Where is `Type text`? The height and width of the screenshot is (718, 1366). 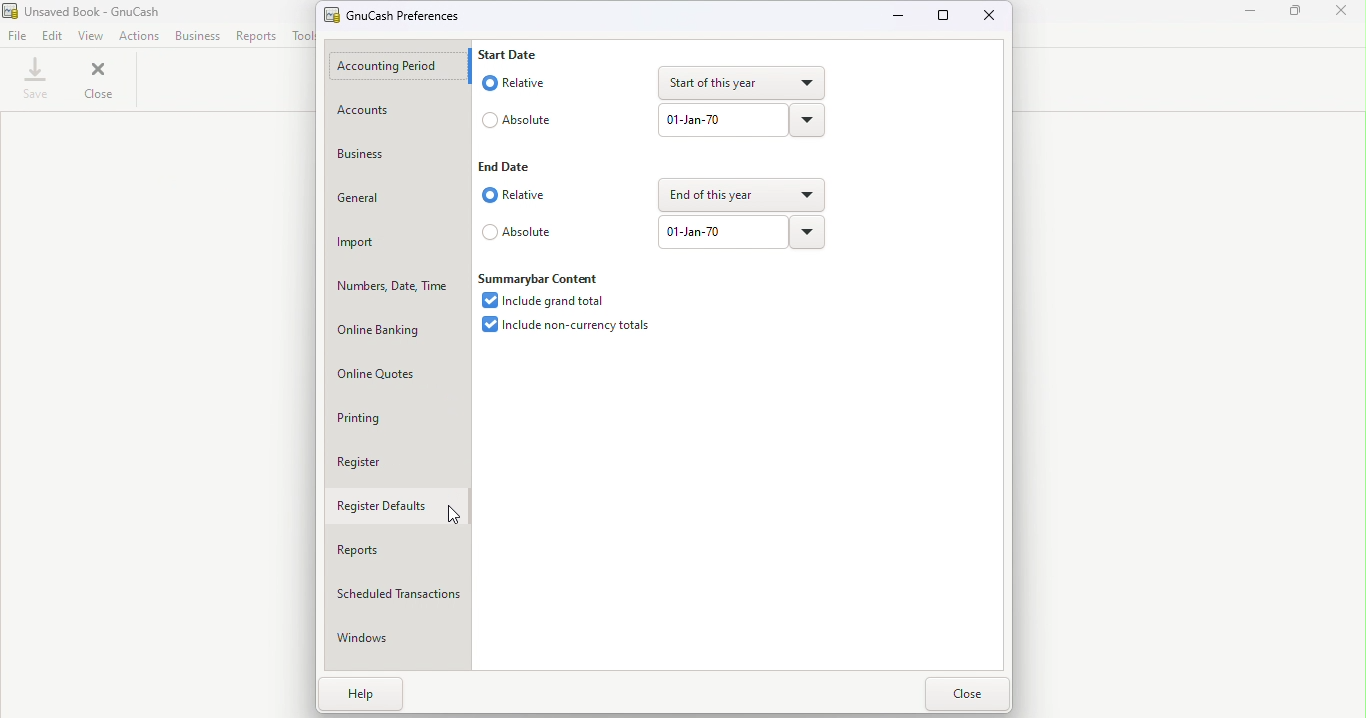 Type text is located at coordinates (723, 232).